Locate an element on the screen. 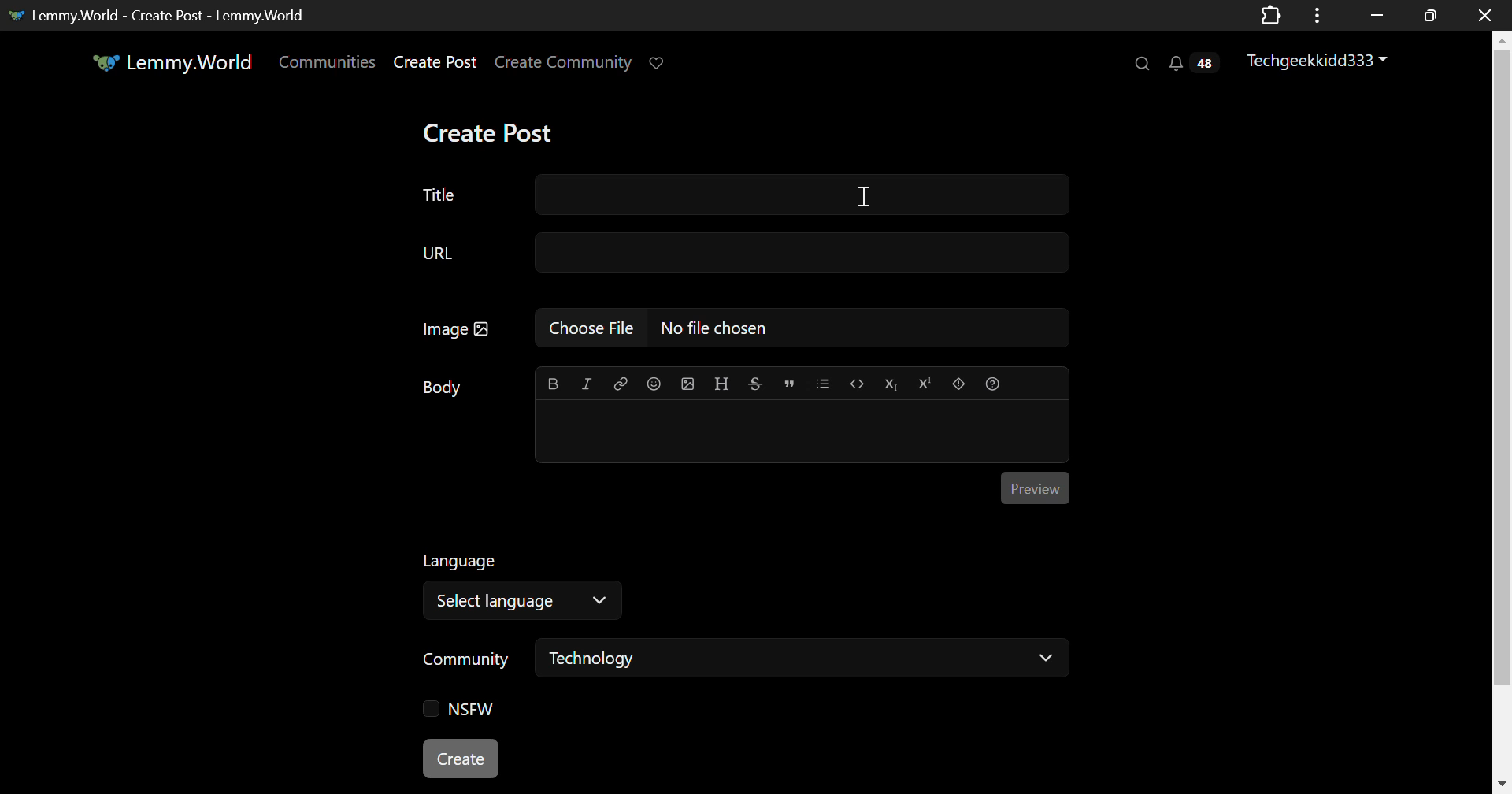  strikethrough is located at coordinates (753, 382).